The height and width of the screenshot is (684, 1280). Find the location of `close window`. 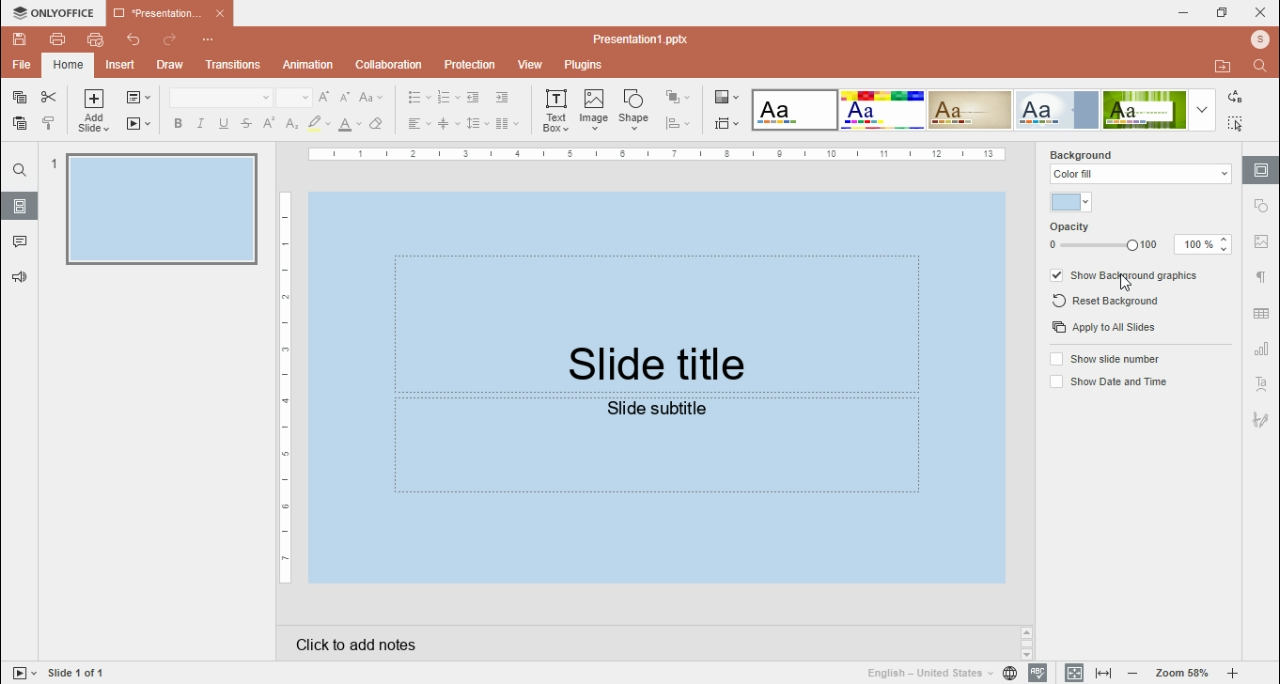

close window is located at coordinates (1260, 13).